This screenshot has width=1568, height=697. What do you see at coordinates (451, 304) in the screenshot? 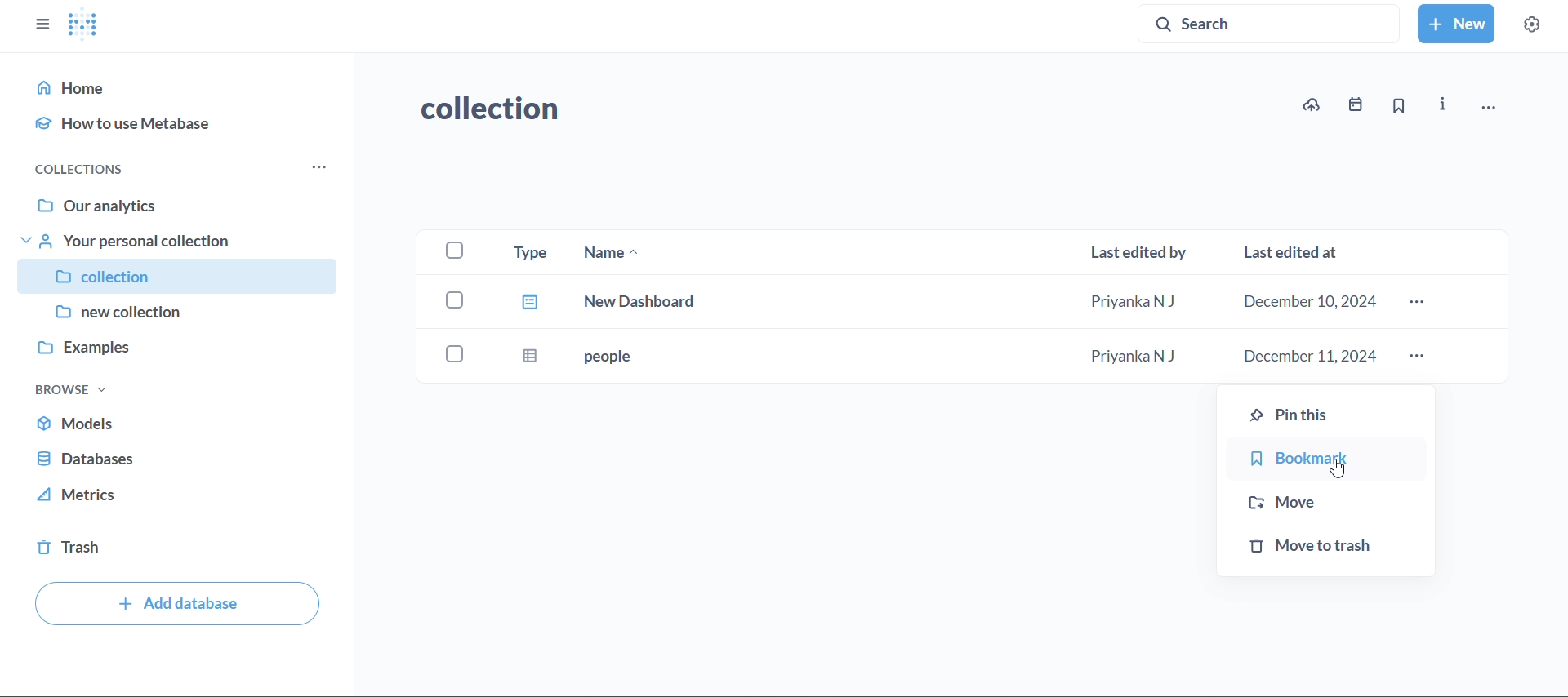
I see `checkboxes` at bounding box center [451, 304].